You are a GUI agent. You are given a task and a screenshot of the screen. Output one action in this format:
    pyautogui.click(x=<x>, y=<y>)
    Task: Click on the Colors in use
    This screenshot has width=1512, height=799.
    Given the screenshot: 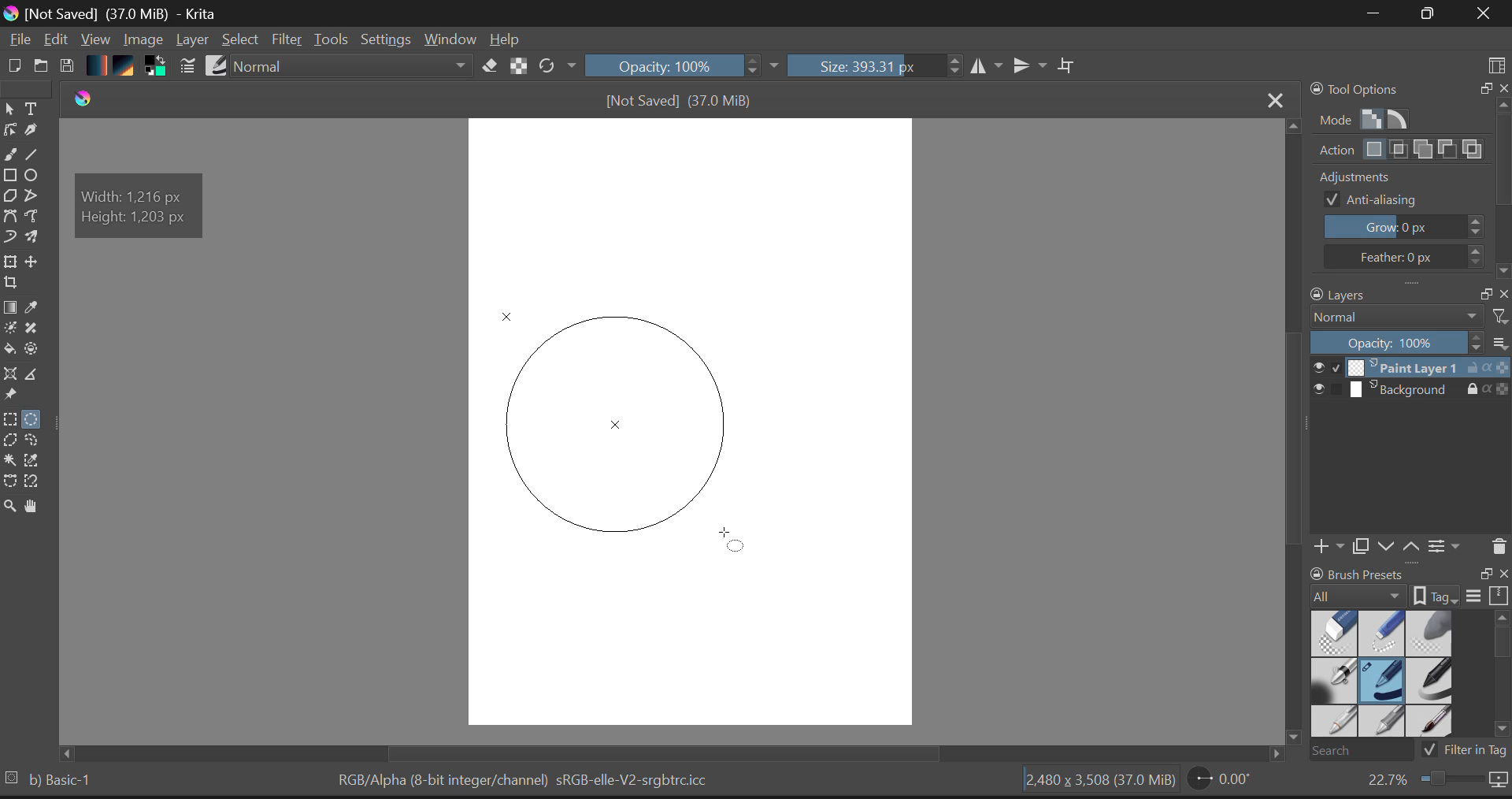 What is the action you would take?
    pyautogui.click(x=155, y=67)
    